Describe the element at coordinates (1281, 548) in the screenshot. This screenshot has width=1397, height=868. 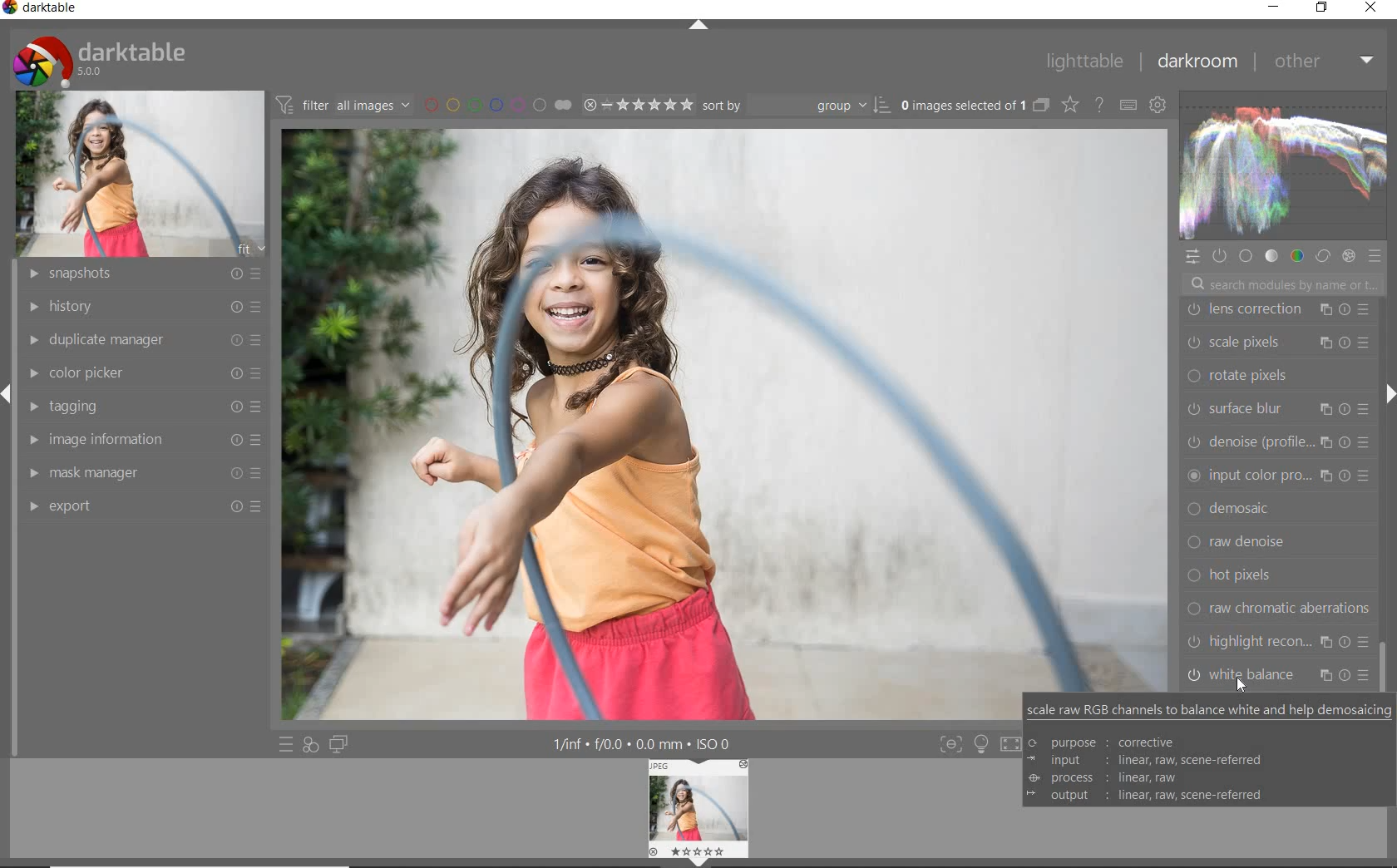
I see `soften` at that location.